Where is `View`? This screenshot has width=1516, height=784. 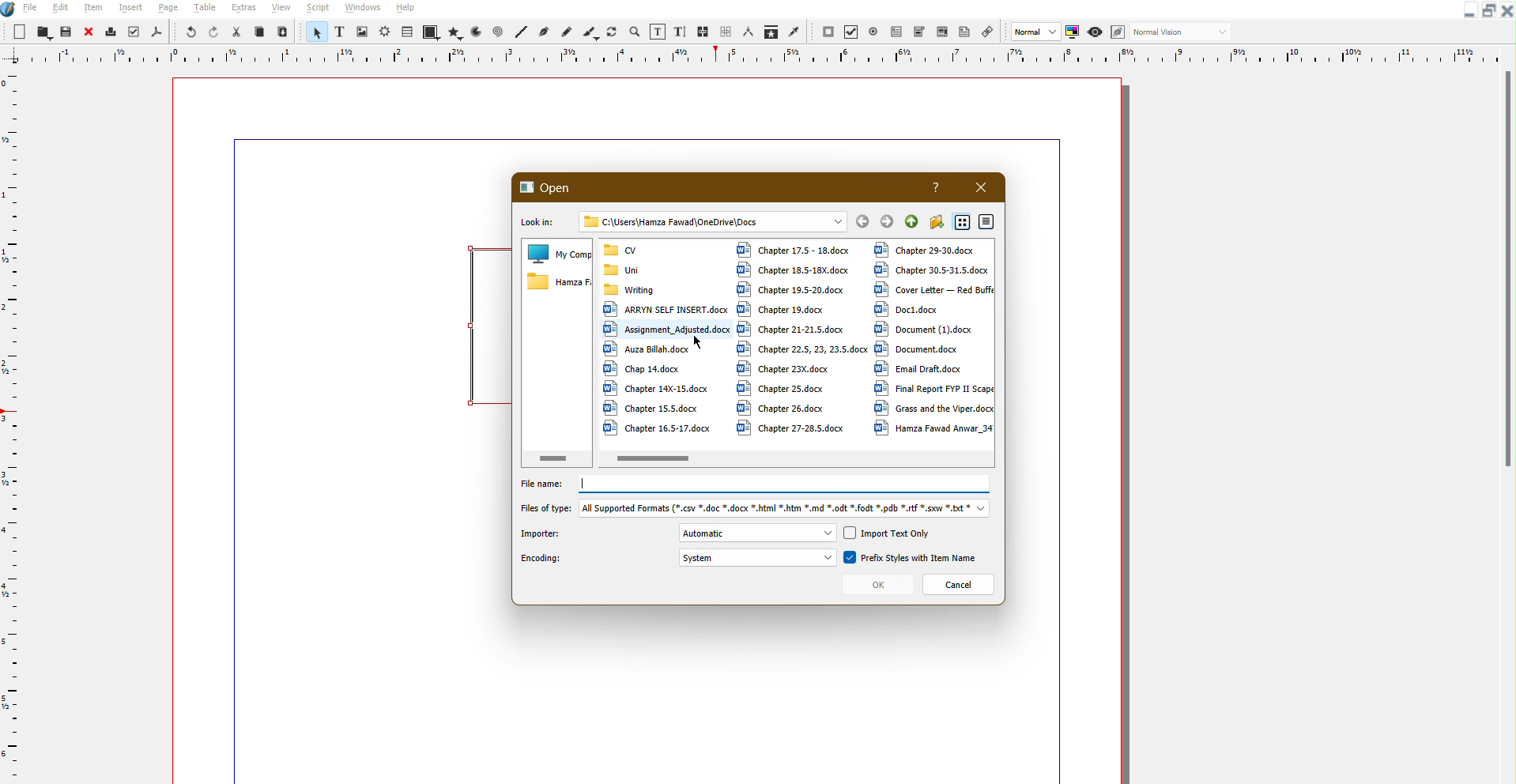
View is located at coordinates (280, 9).